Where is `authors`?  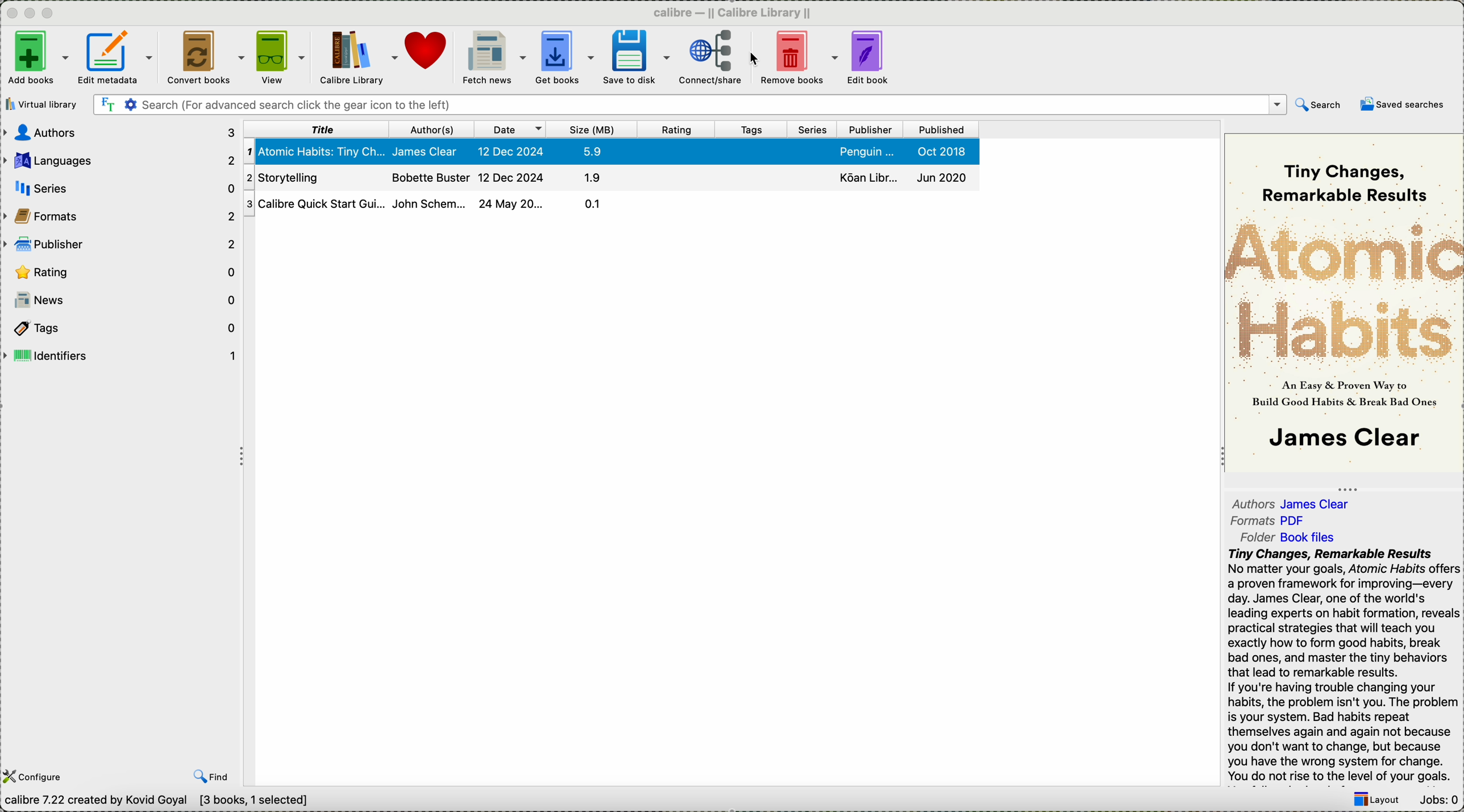
authors is located at coordinates (1294, 501).